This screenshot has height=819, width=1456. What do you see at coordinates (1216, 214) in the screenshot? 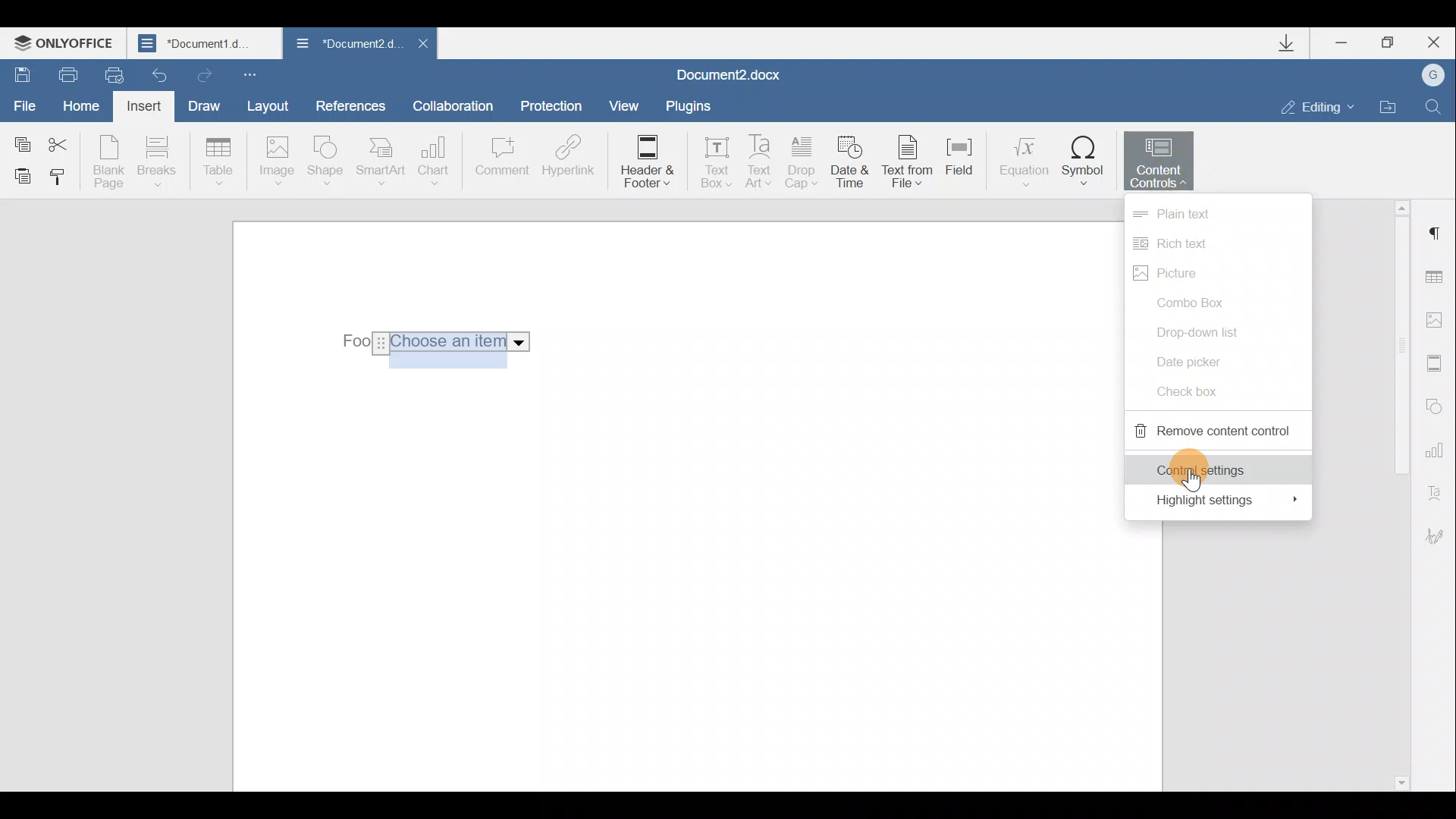
I see `Plain text` at bounding box center [1216, 214].